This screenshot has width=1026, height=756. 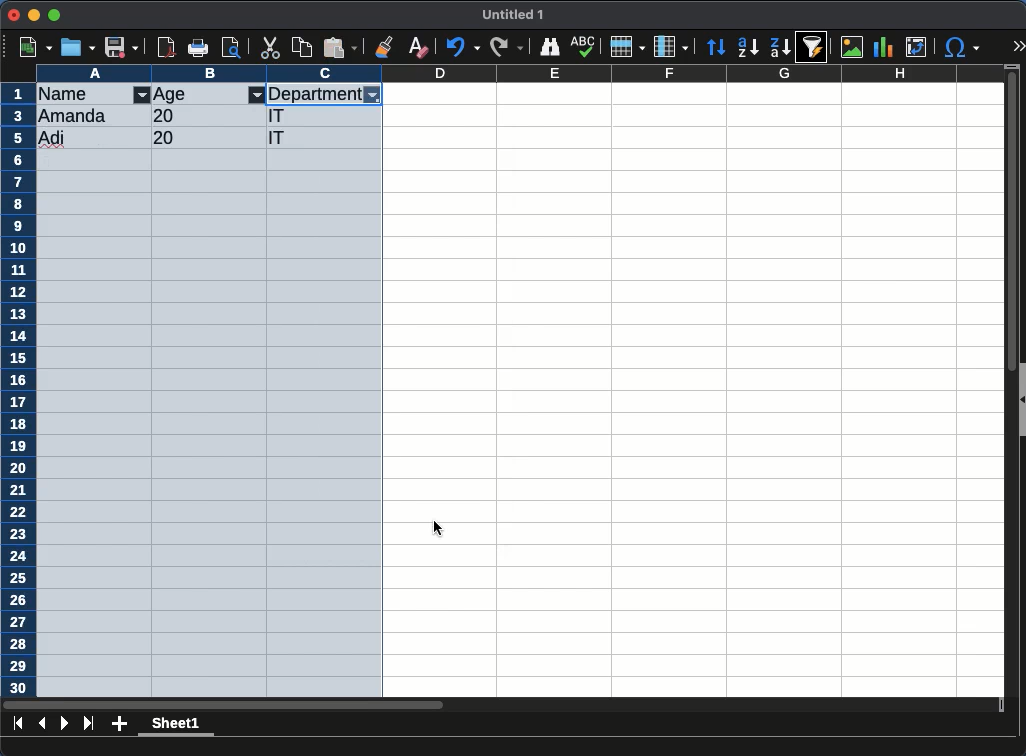 I want to click on expand, so click(x=1018, y=48).